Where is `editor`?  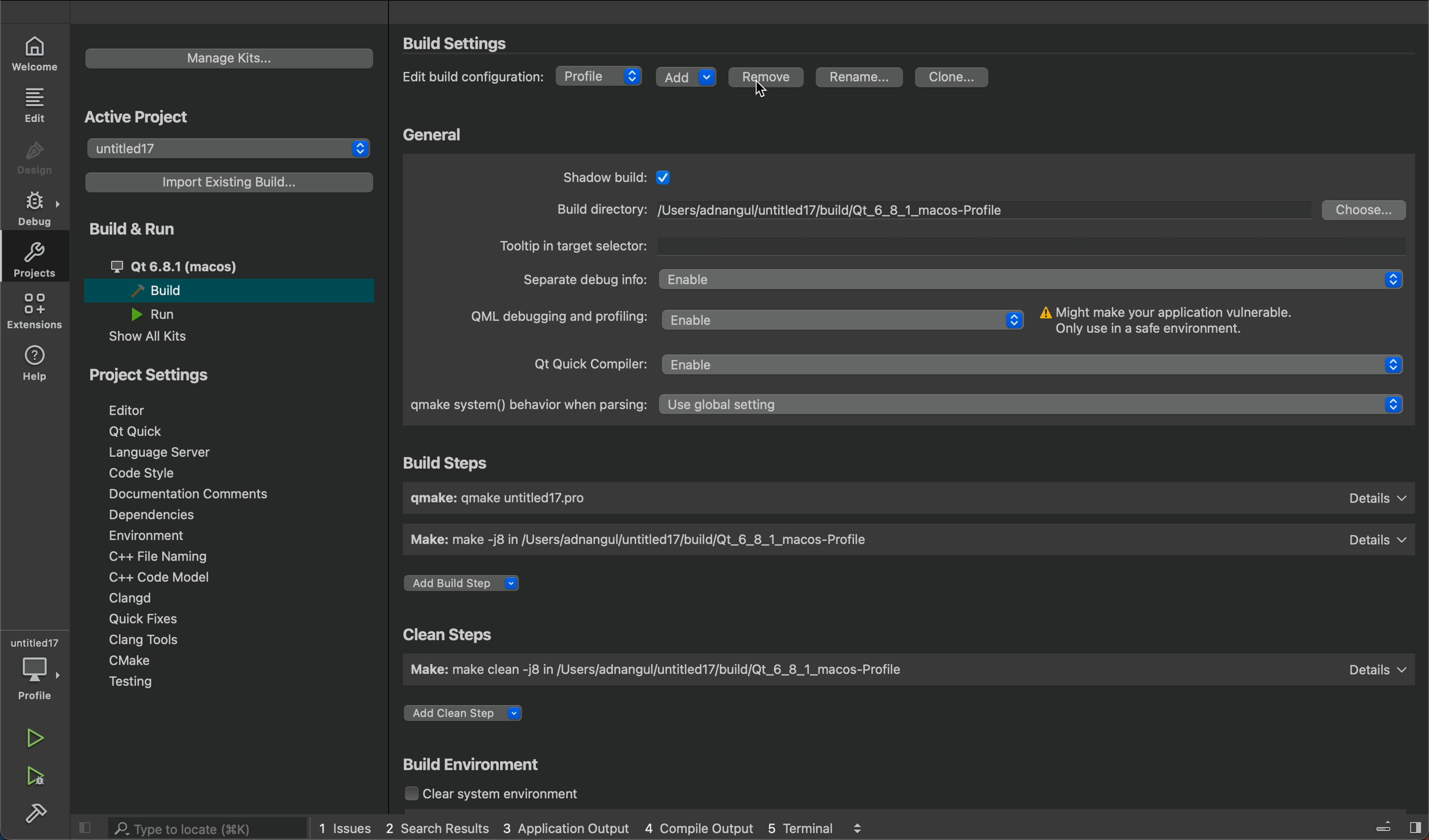 editor is located at coordinates (142, 411).